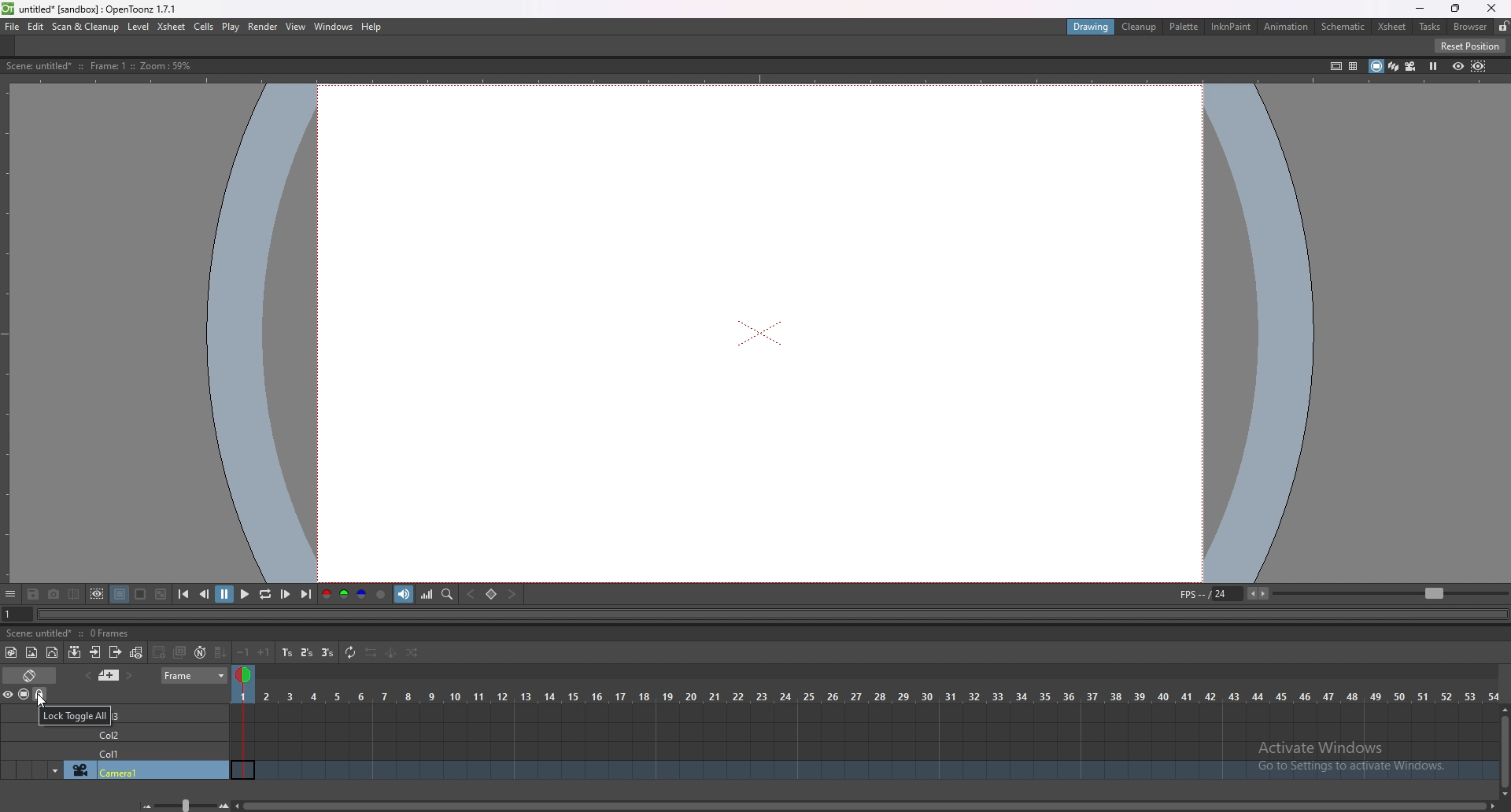 The image size is (1511, 812). Describe the element at coordinates (146, 733) in the screenshot. I see `column 2` at that location.